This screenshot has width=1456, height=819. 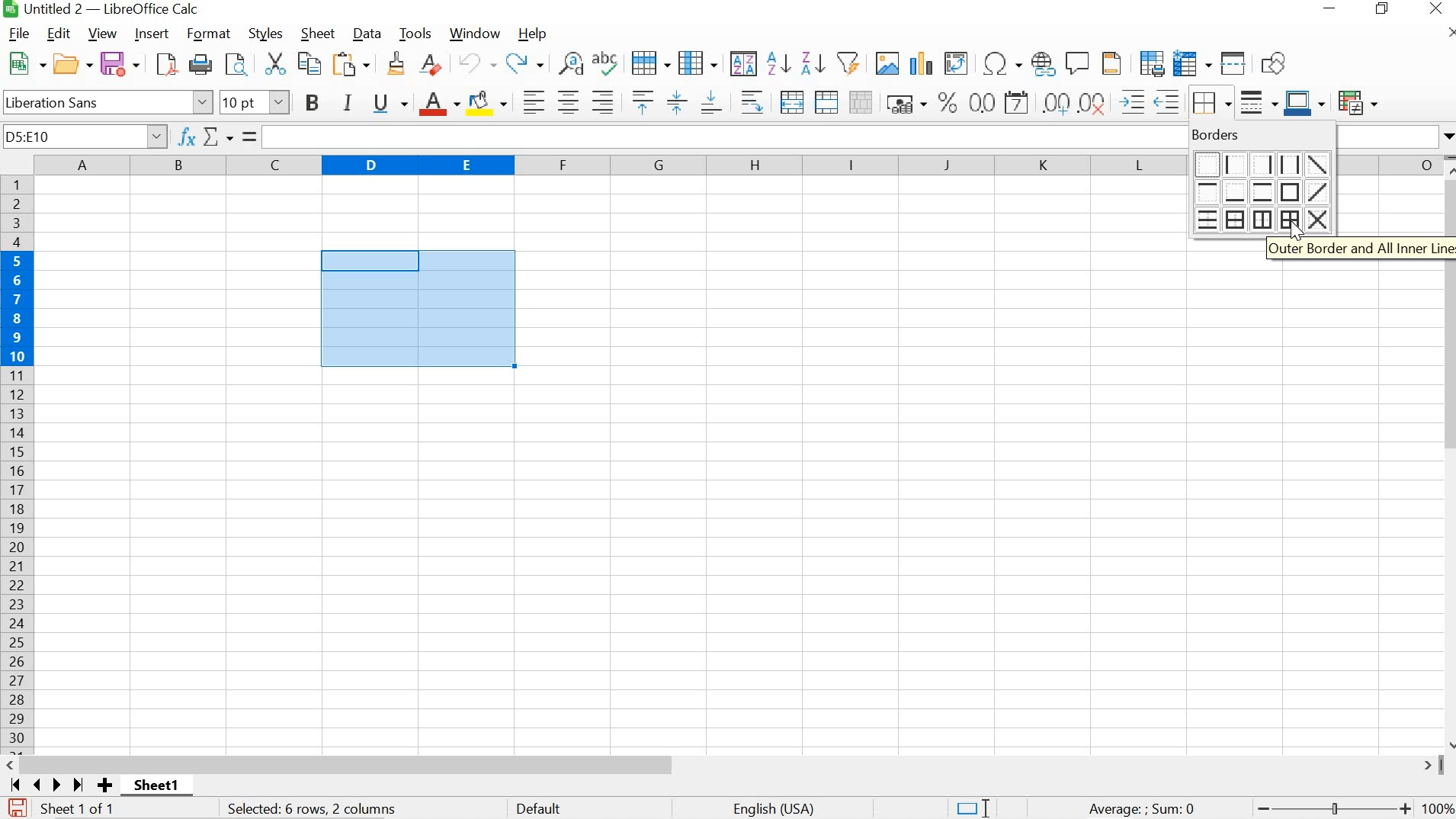 What do you see at coordinates (861, 102) in the screenshot?
I see `unmerge cells` at bounding box center [861, 102].